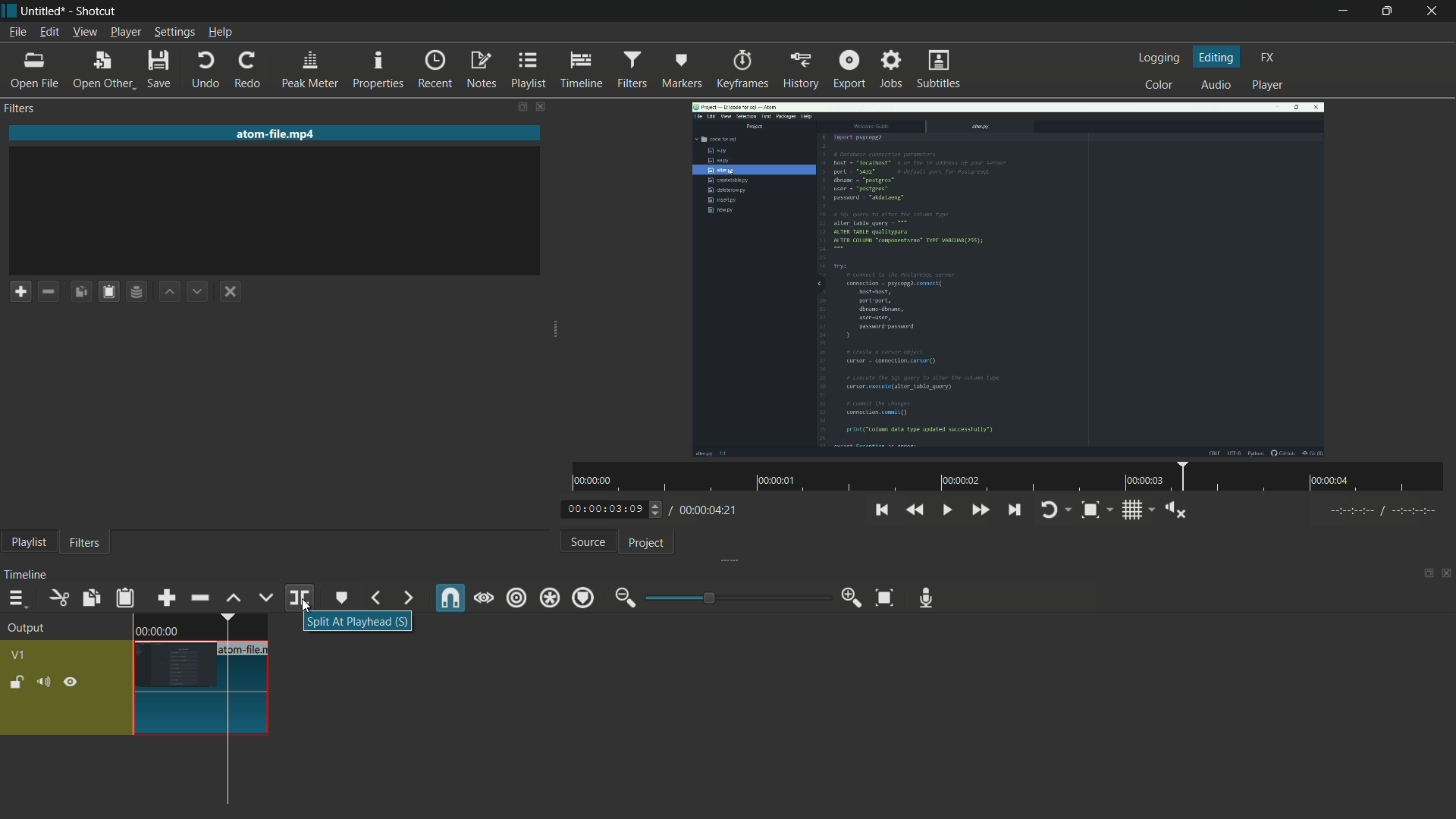  Describe the element at coordinates (248, 71) in the screenshot. I see `redo` at that location.